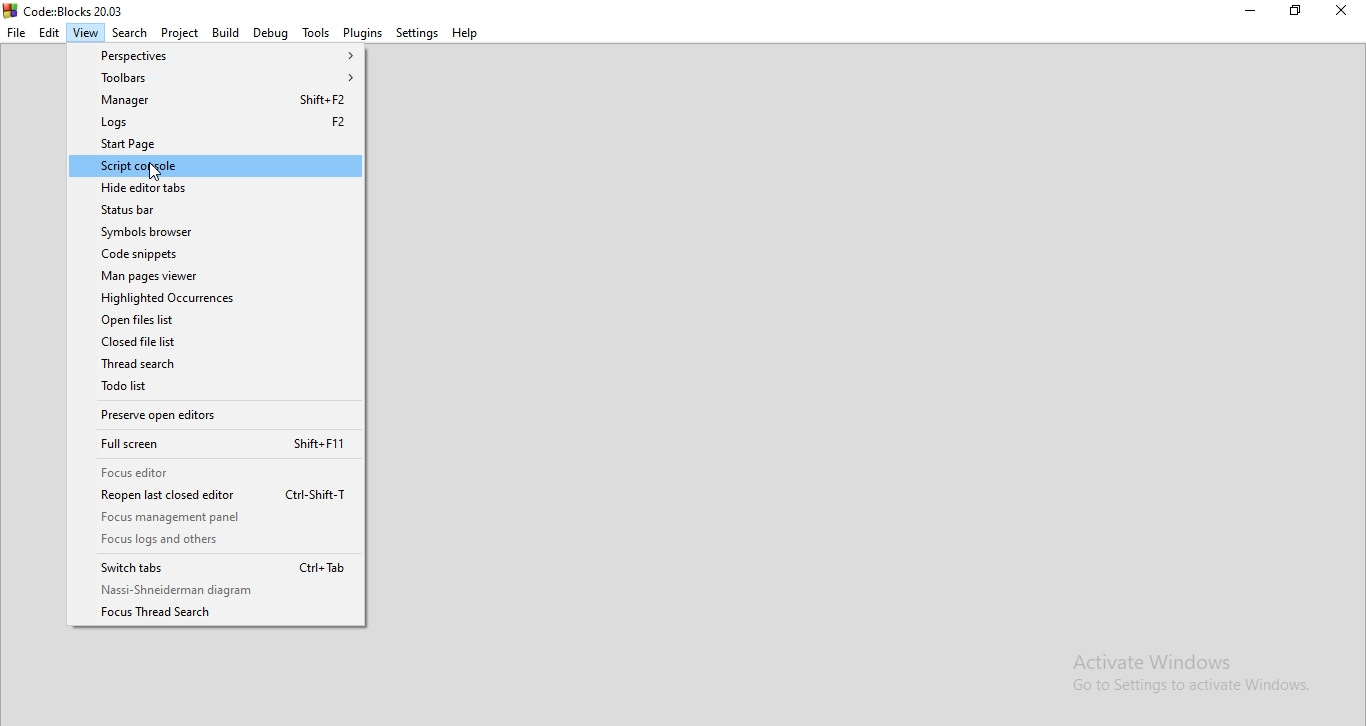 This screenshot has height=726, width=1366. I want to click on Start Page, so click(216, 144).